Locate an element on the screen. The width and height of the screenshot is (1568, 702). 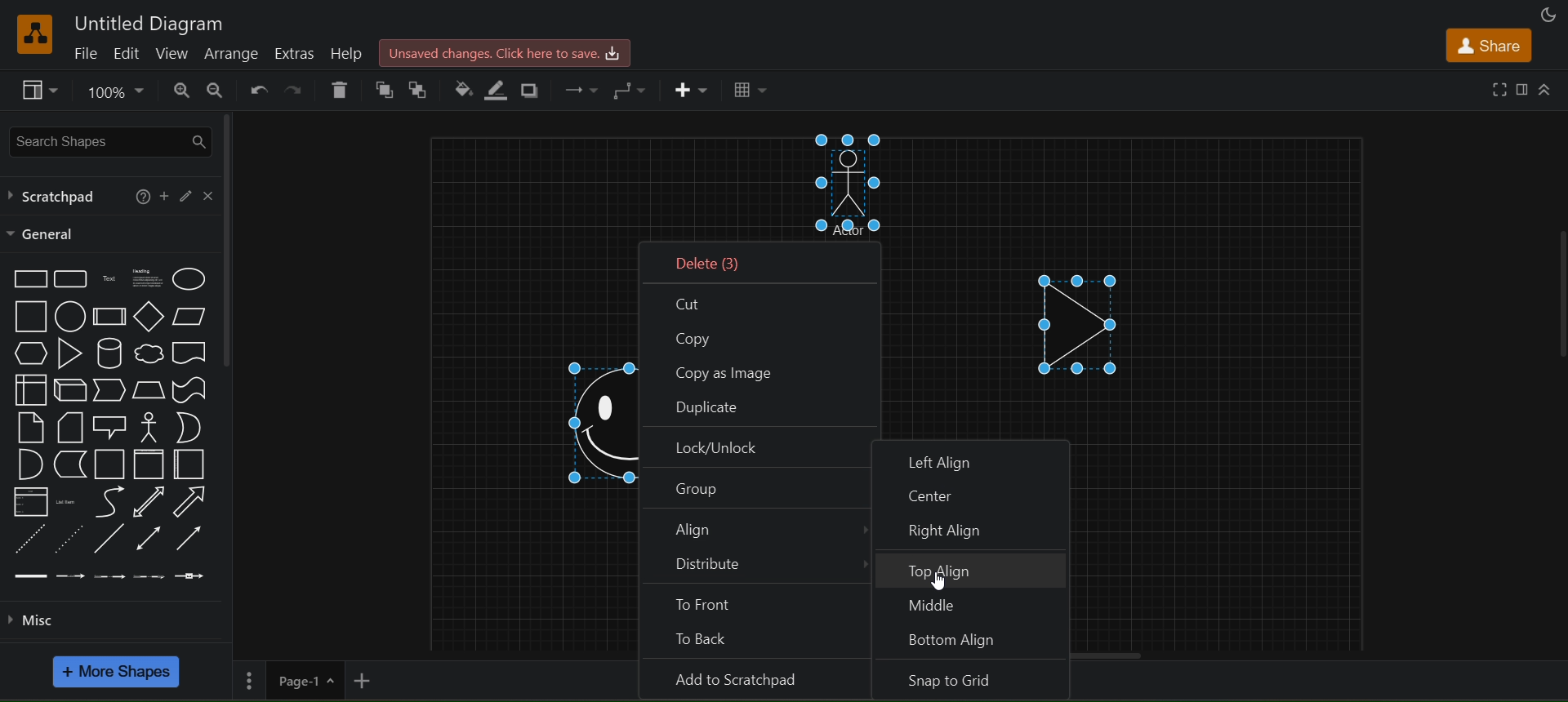
goup is located at coordinates (756, 488).